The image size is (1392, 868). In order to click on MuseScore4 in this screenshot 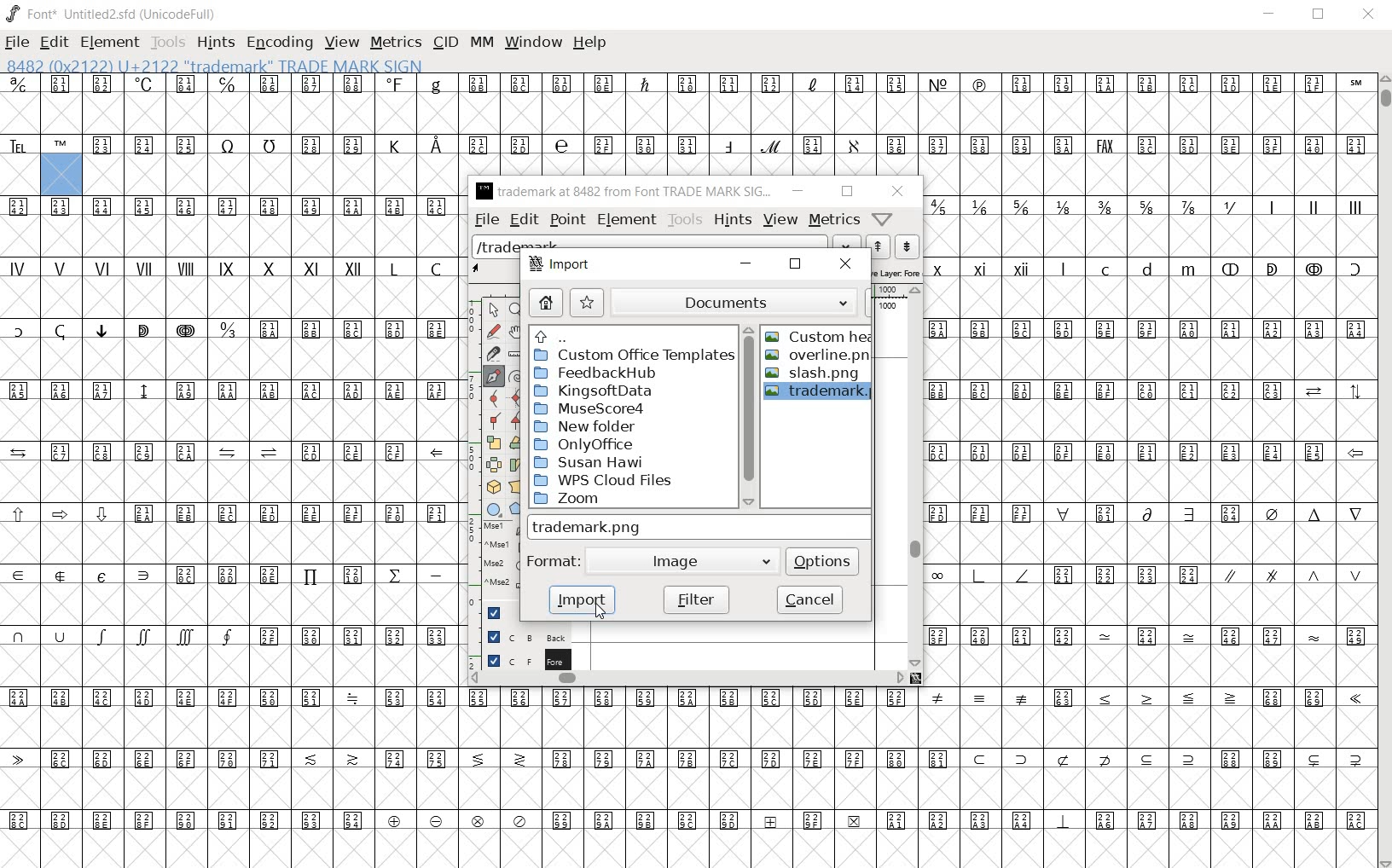, I will do `click(589, 408)`.